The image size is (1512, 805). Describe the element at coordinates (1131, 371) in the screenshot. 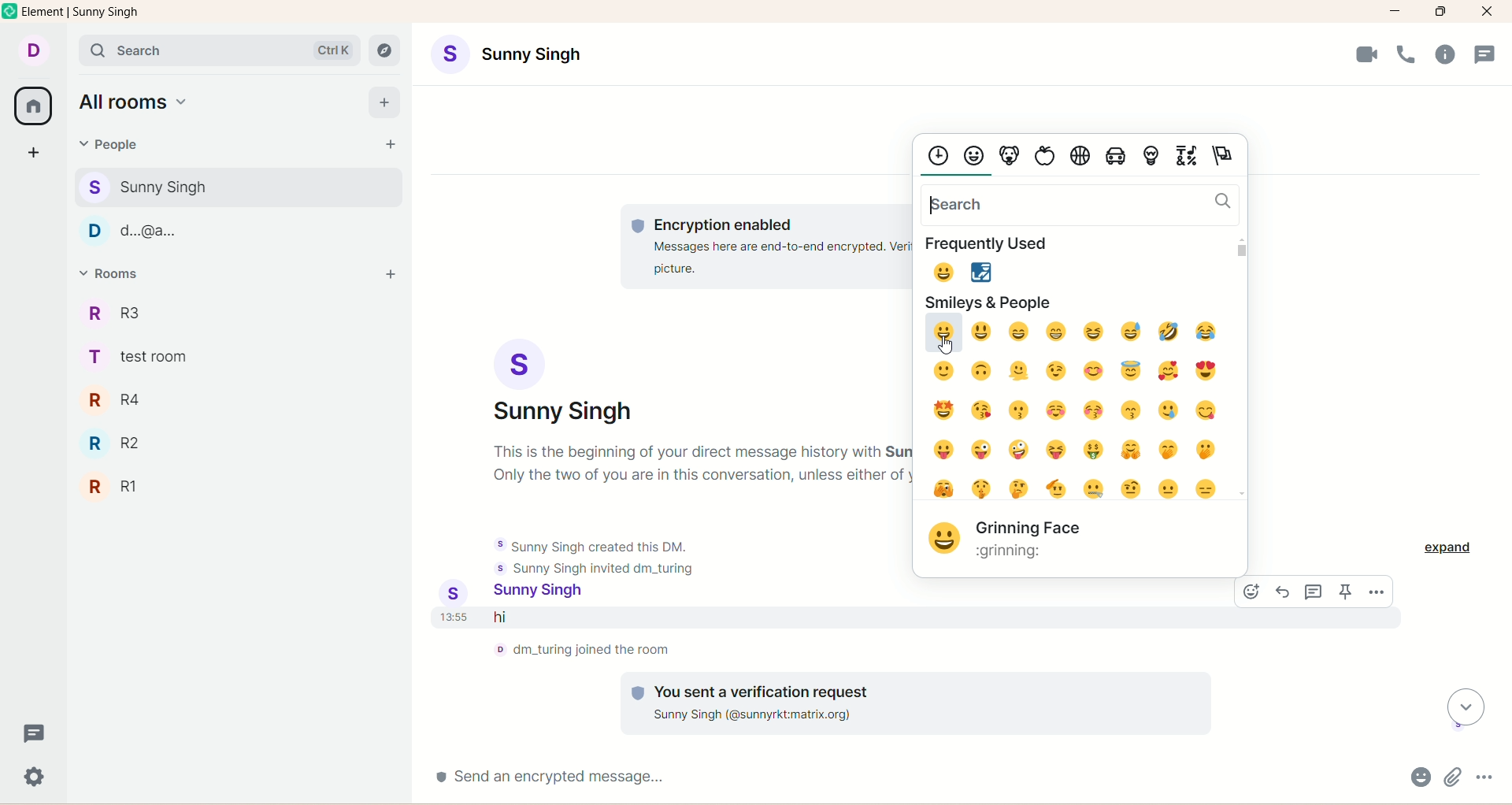

I see `Smiling face with halo` at that location.